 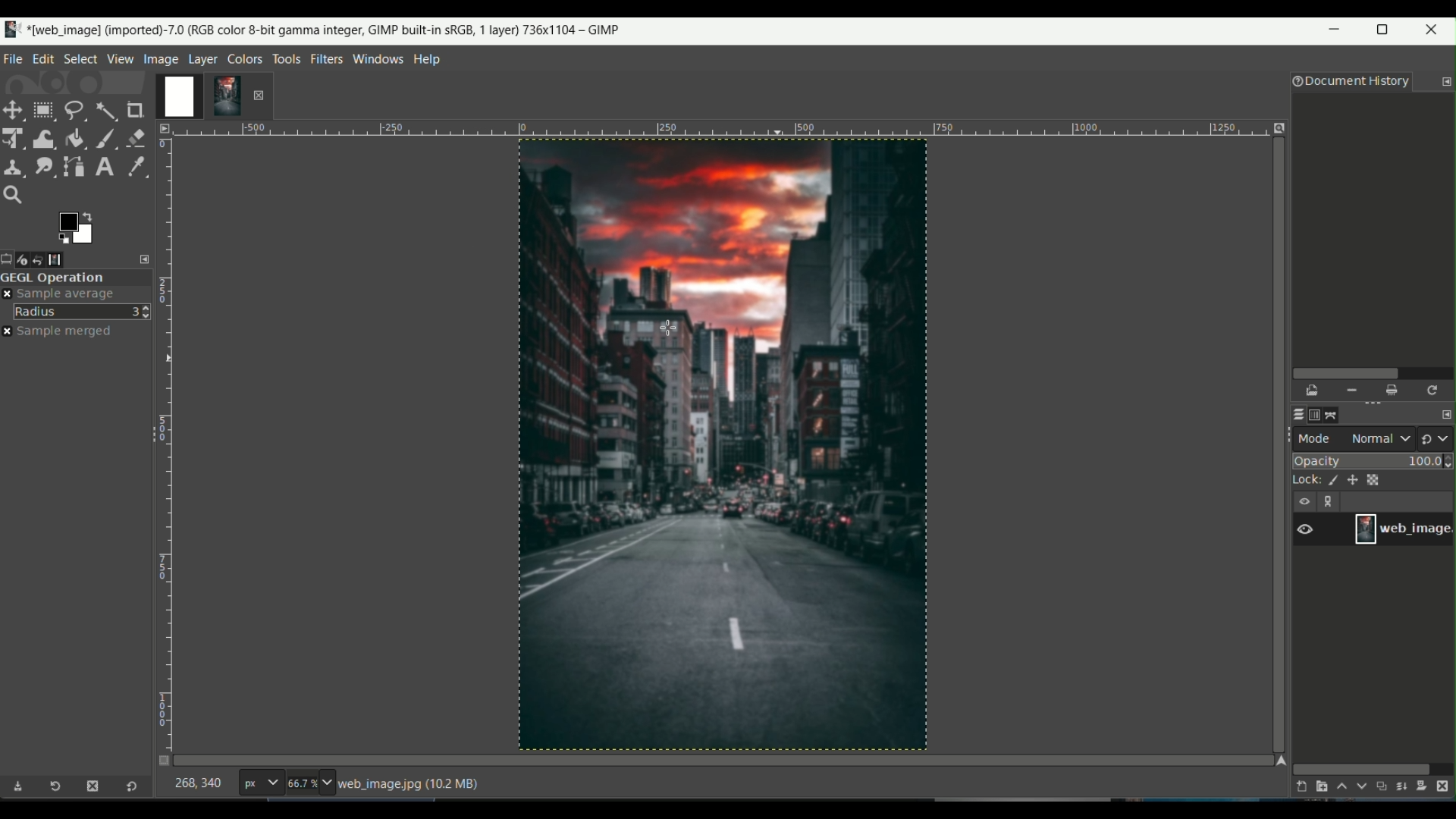 What do you see at coordinates (201, 97) in the screenshot?
I see `imported image` at bounding box center [201, 97].